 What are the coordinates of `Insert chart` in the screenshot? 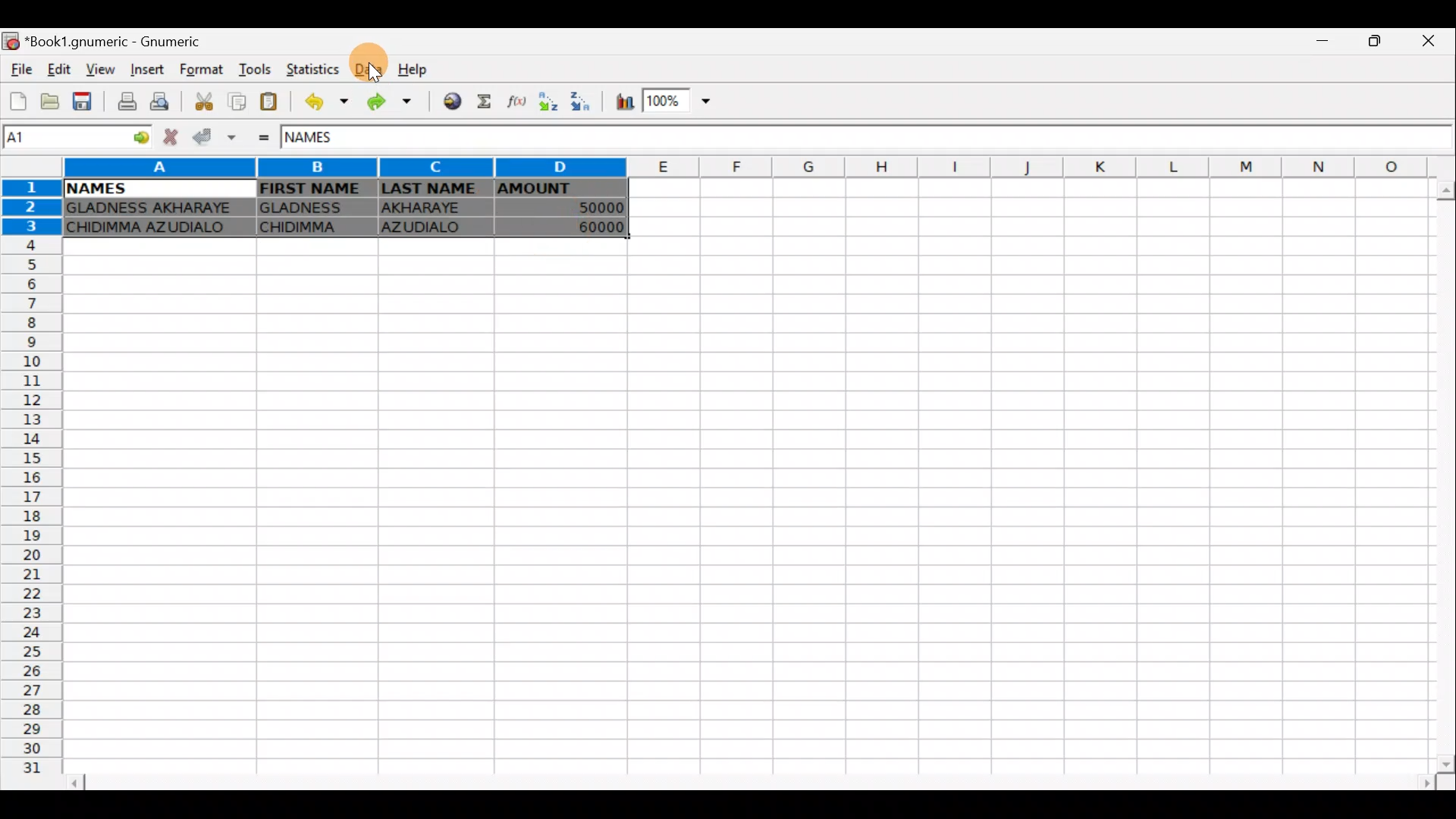 It's located at (624, 102).